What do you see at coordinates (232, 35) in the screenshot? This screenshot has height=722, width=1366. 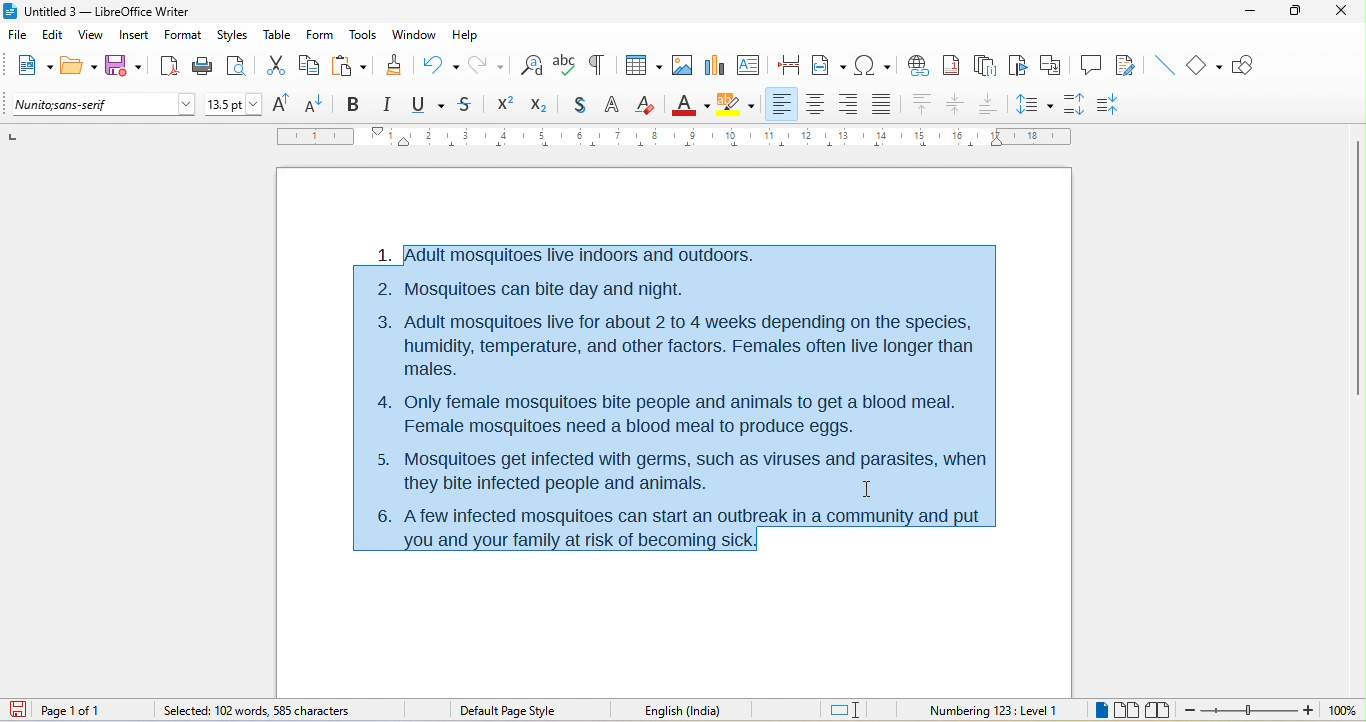 I see `styles` at bounding box center [232, 35].